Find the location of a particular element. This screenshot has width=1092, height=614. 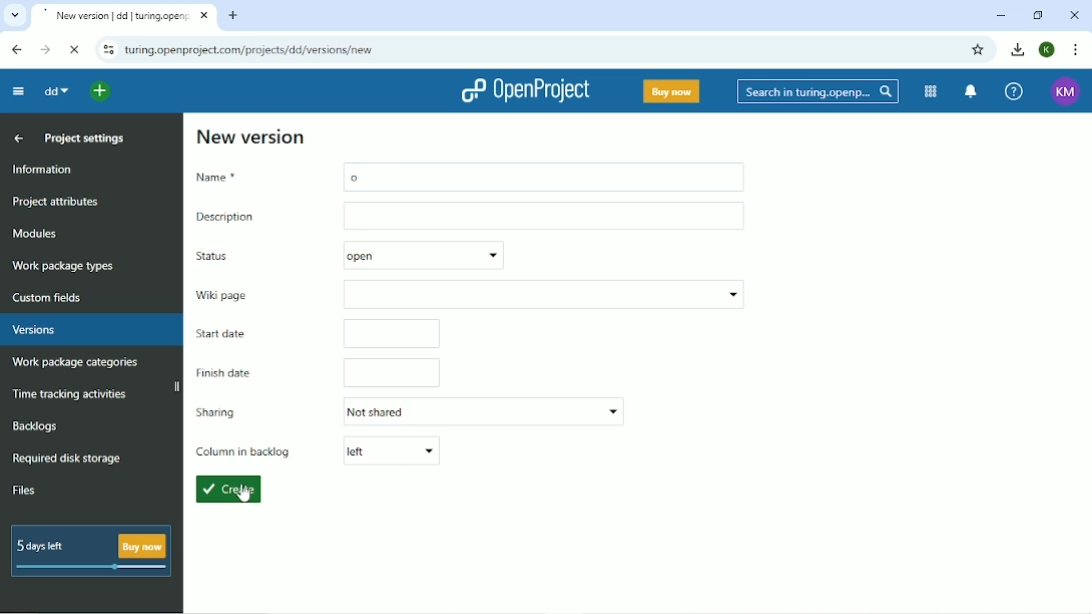

Project attributes is located at coordinates (55, 203).